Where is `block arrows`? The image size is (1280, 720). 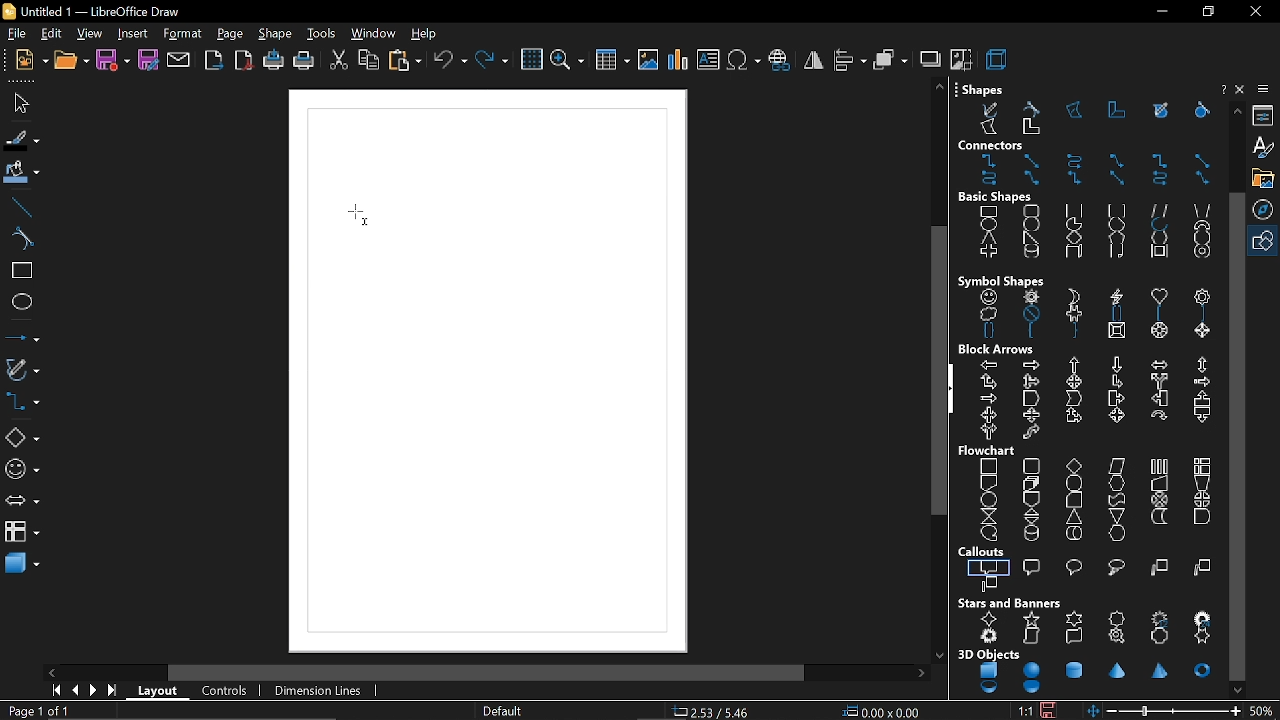 block arrows is located at coordinates (998, 350).